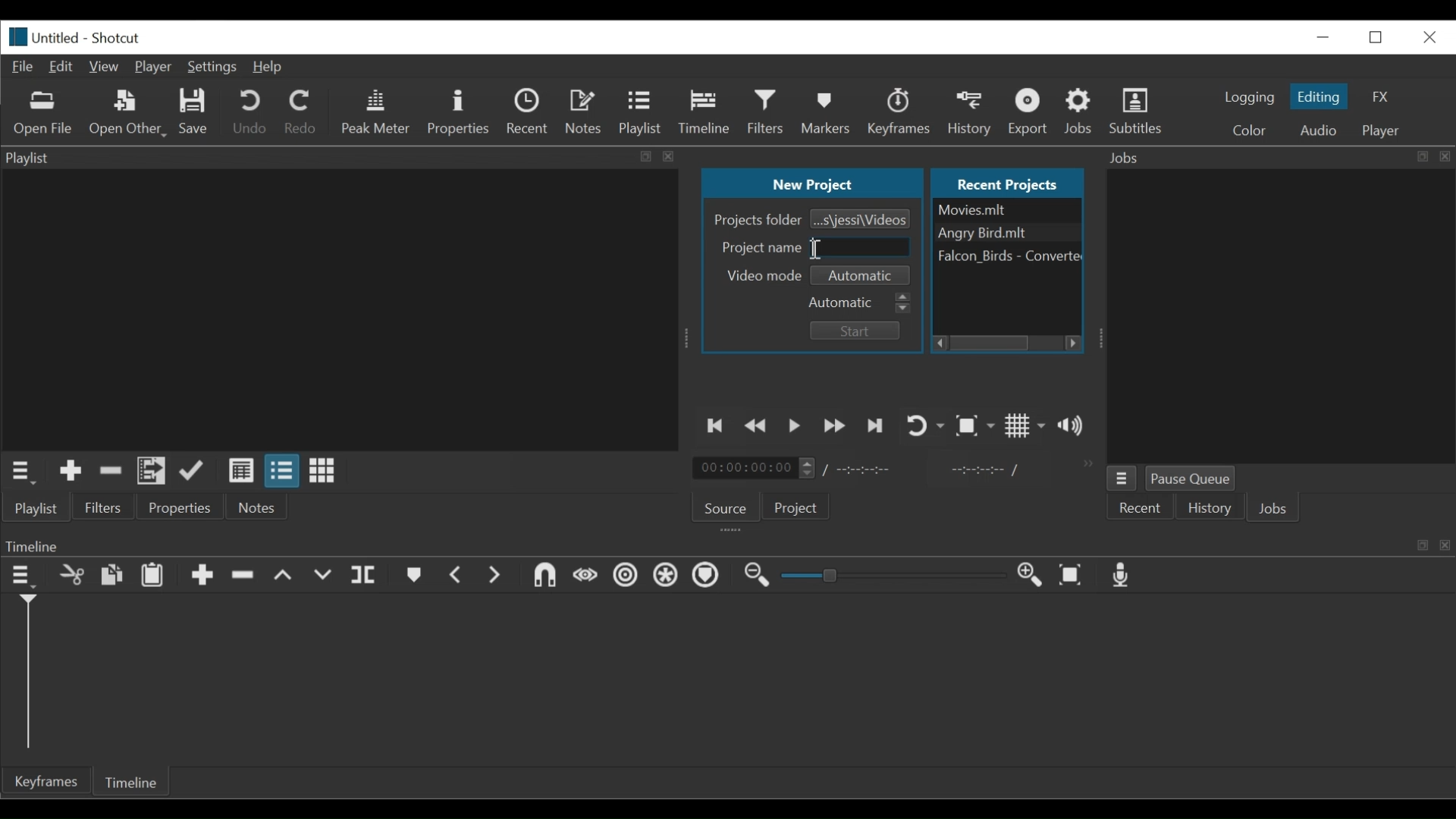  I want to click on View as icons, so click(325, 472).